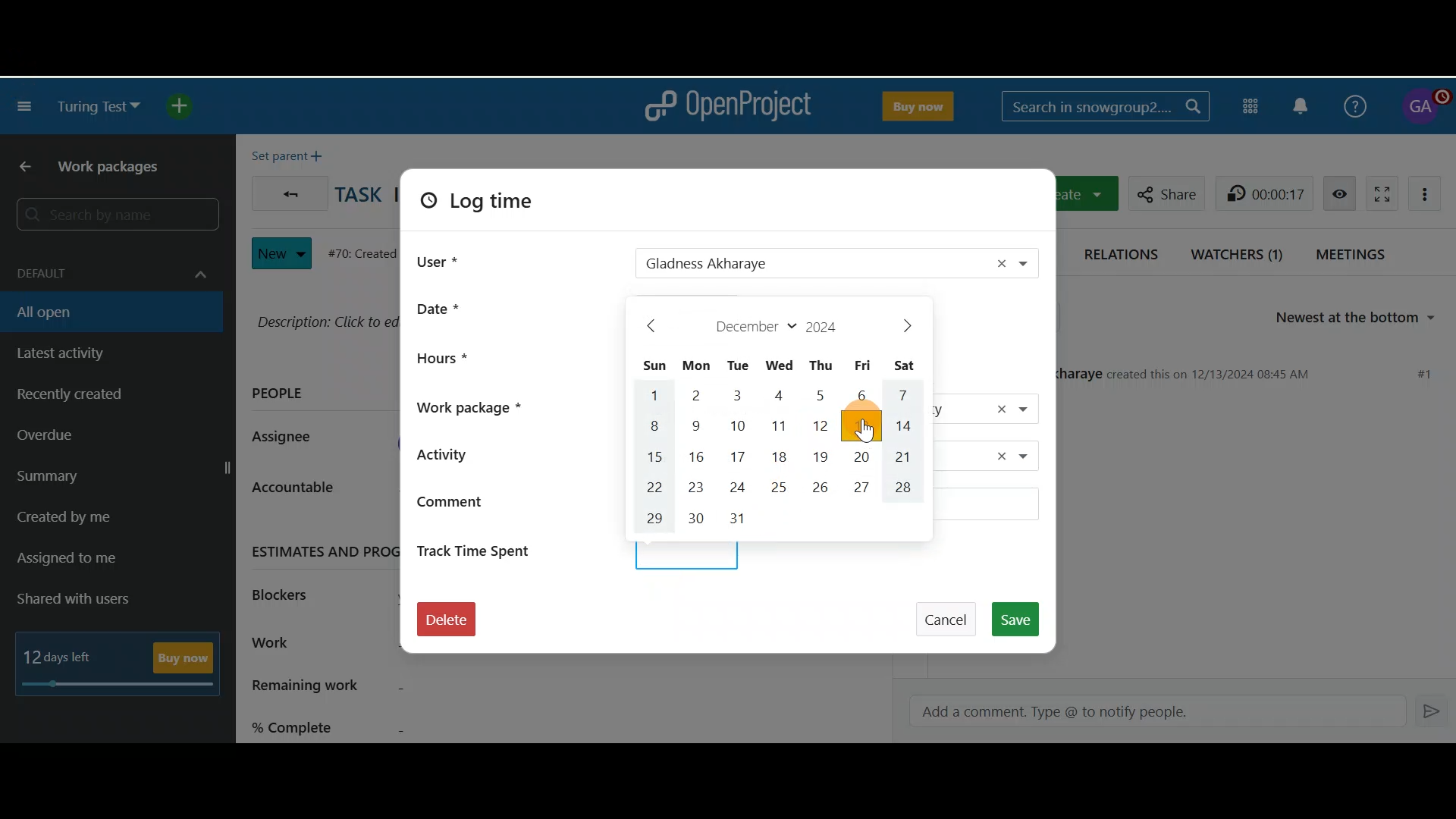  Describe the element at coordinates (699, 365) in the screenshot. I see `Mon` at that location.